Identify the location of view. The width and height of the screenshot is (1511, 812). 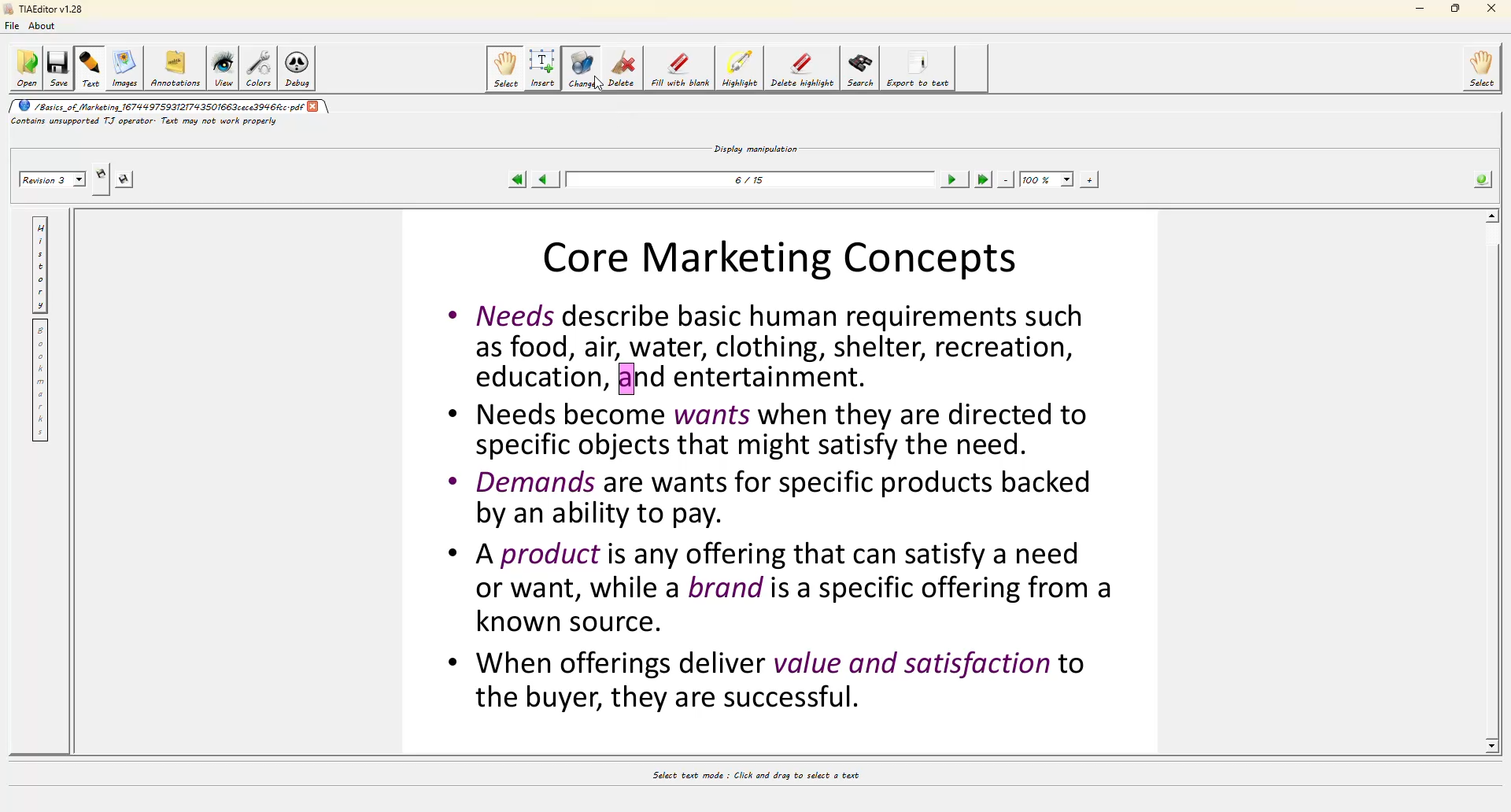
(223, 67).